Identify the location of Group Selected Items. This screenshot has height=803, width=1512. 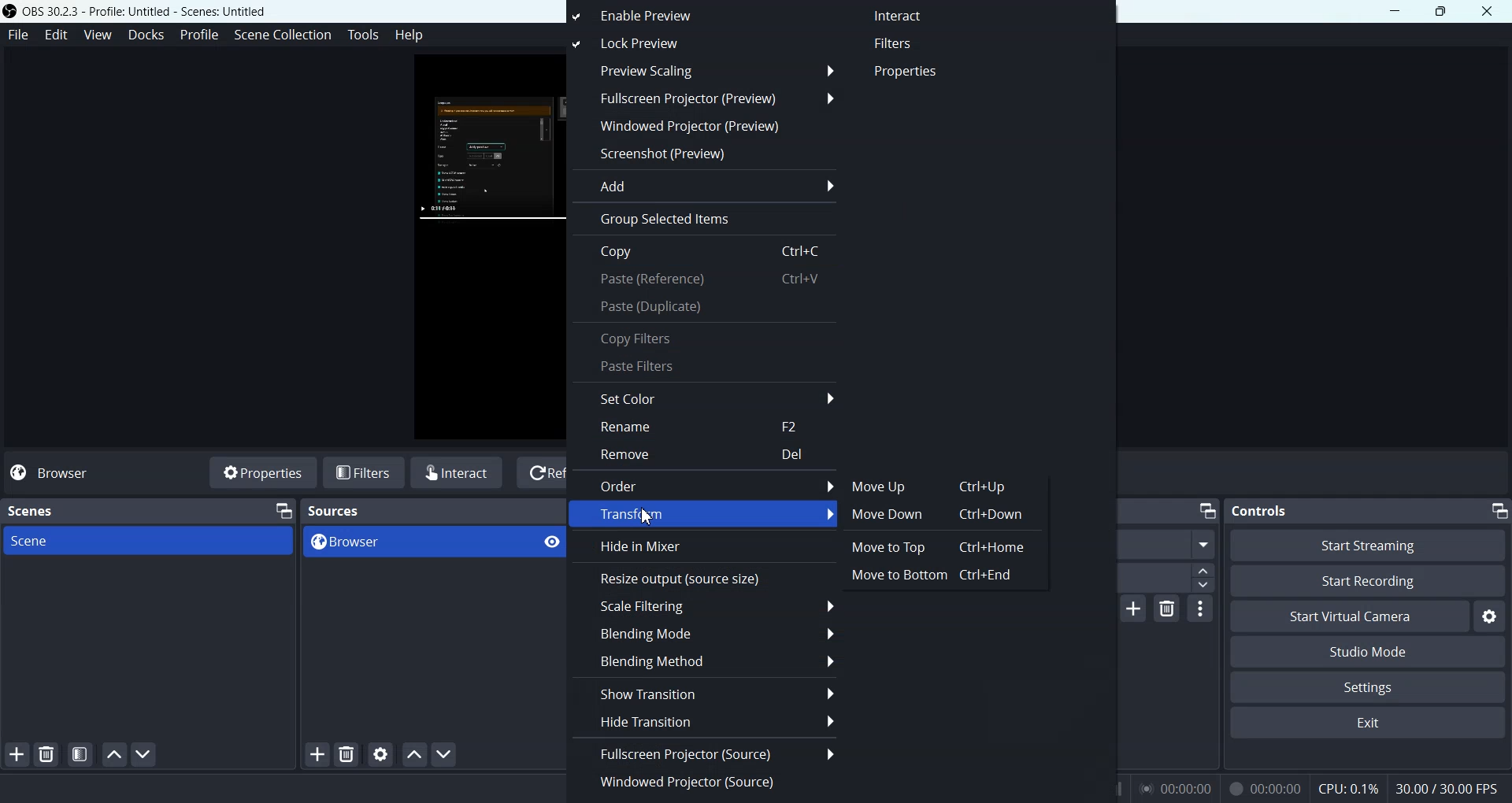
(702, 220).